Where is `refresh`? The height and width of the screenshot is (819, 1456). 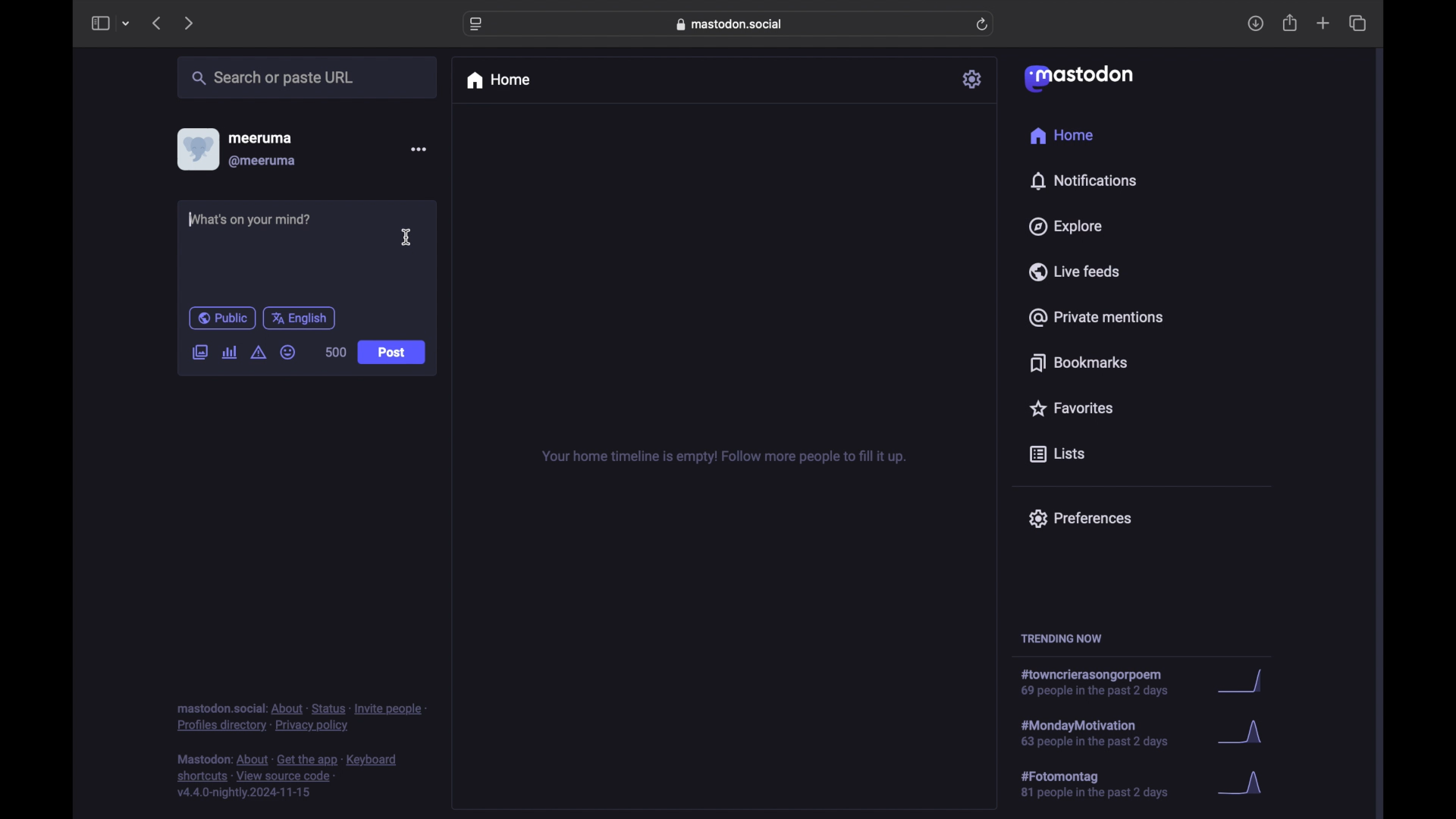
refresh is located at coordinates (984, 25).